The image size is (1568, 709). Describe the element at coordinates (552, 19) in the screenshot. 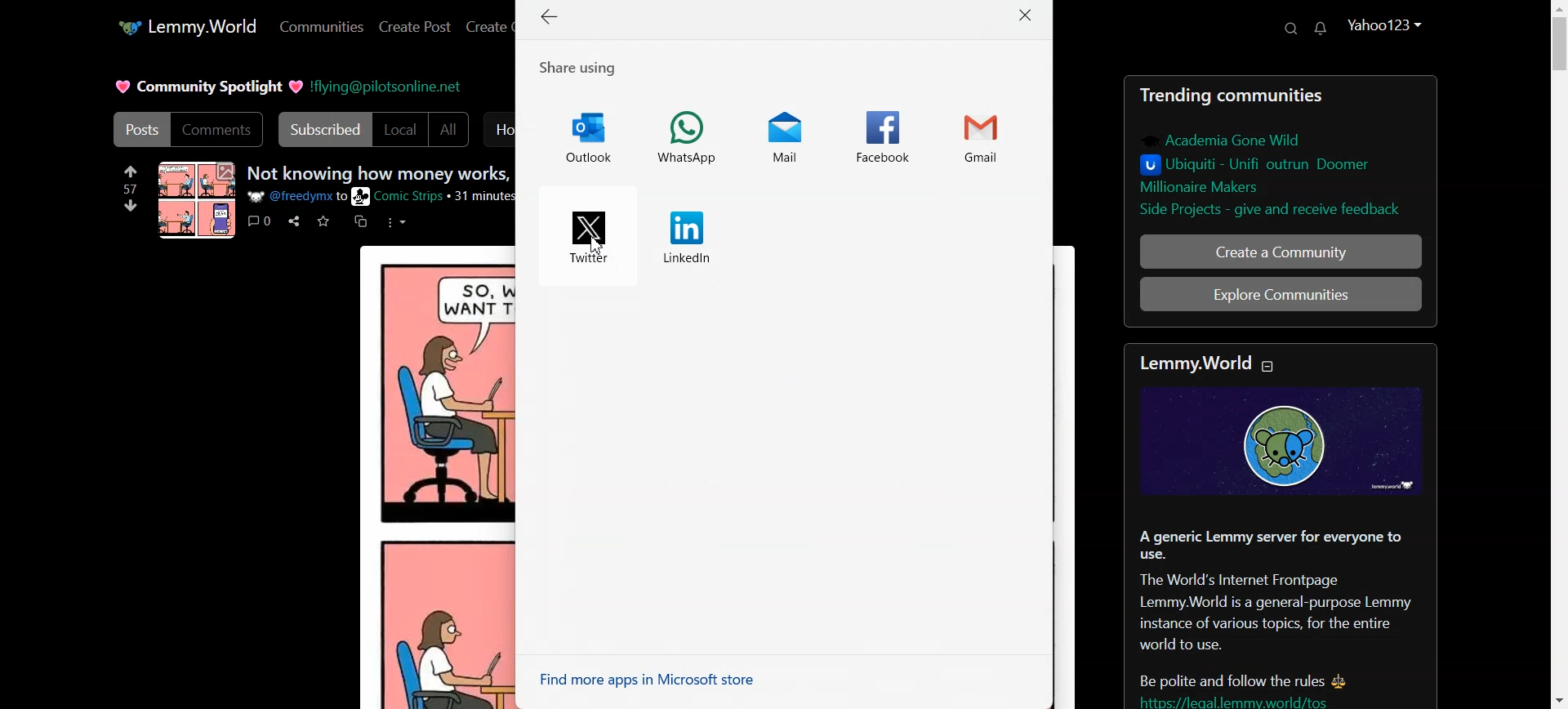

I see `Back` at that location.